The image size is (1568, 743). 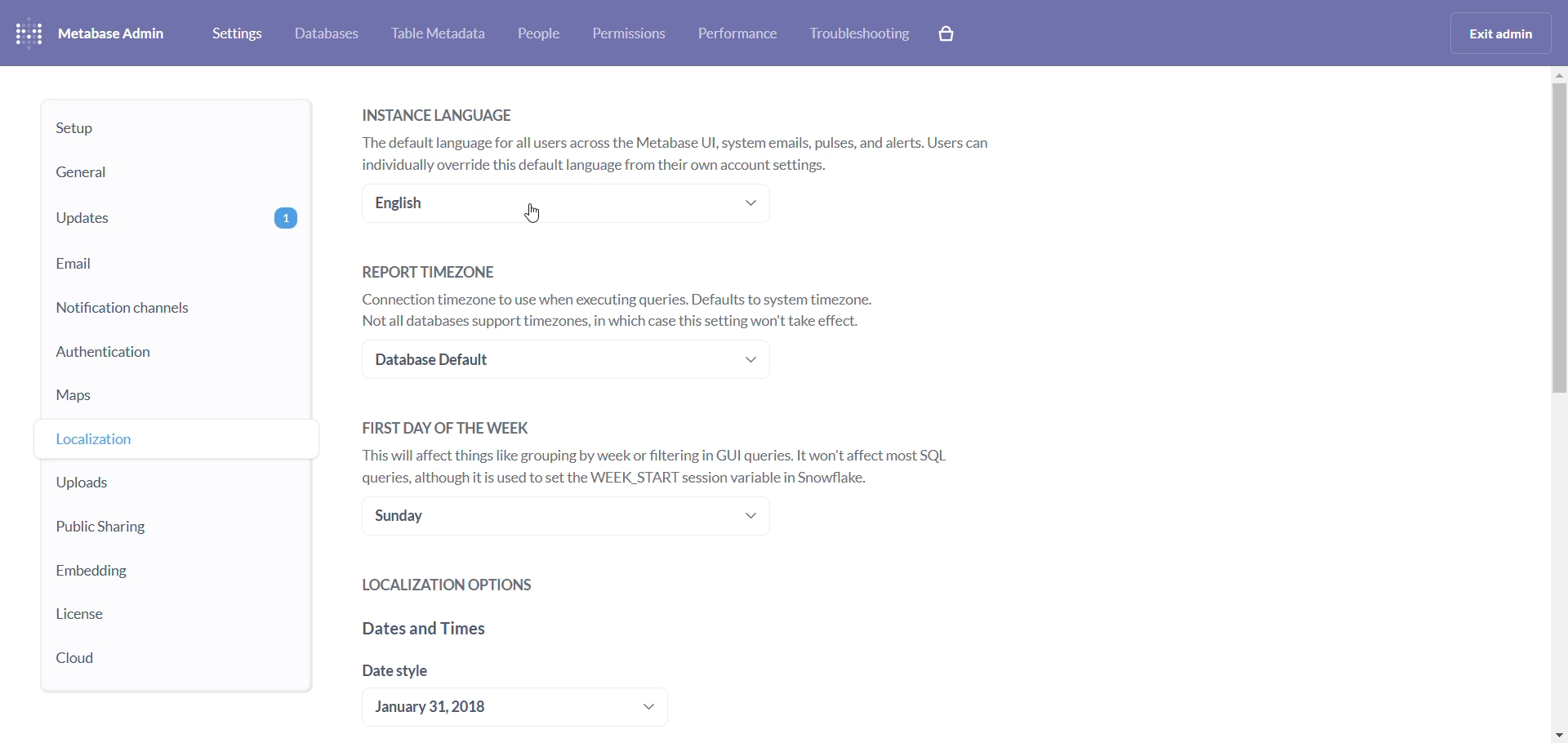 What do you see at coordinates (863, 33) in the screenshot?
I see `troubleshooting` at bounding box center [863, 33].